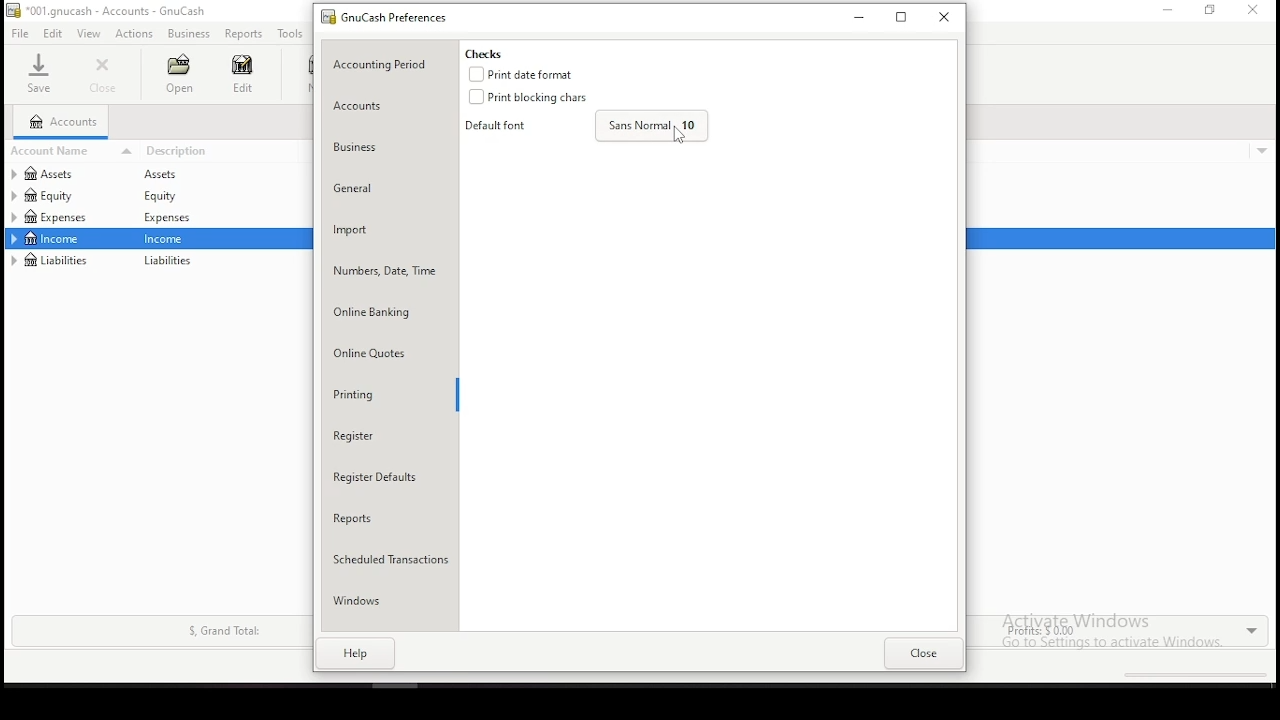 The width and height of the screenshot is (1280, 720). I want to click on import, so click(360, 228).